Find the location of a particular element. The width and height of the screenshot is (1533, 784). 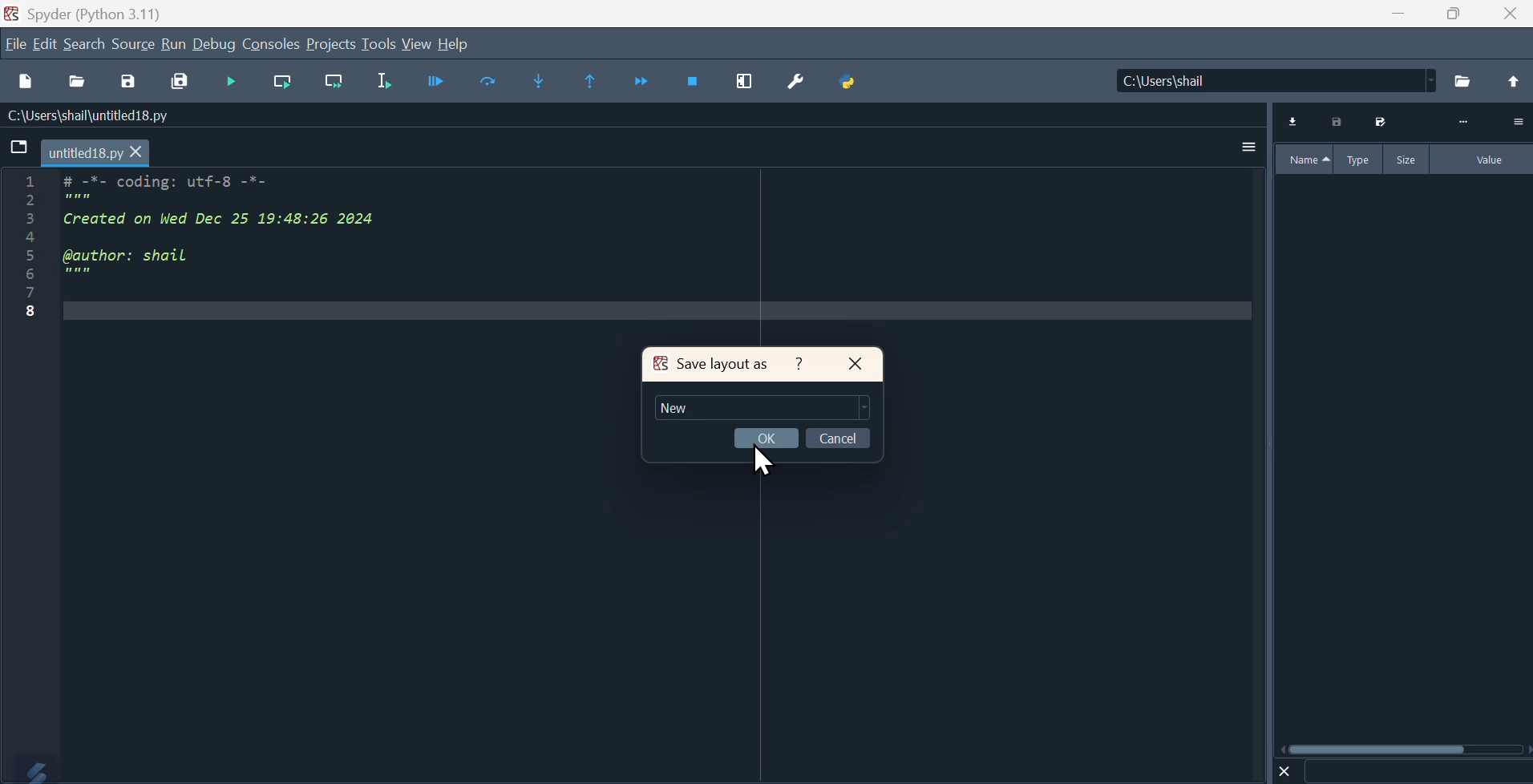

minimize is located at coordinates (1395, 14).